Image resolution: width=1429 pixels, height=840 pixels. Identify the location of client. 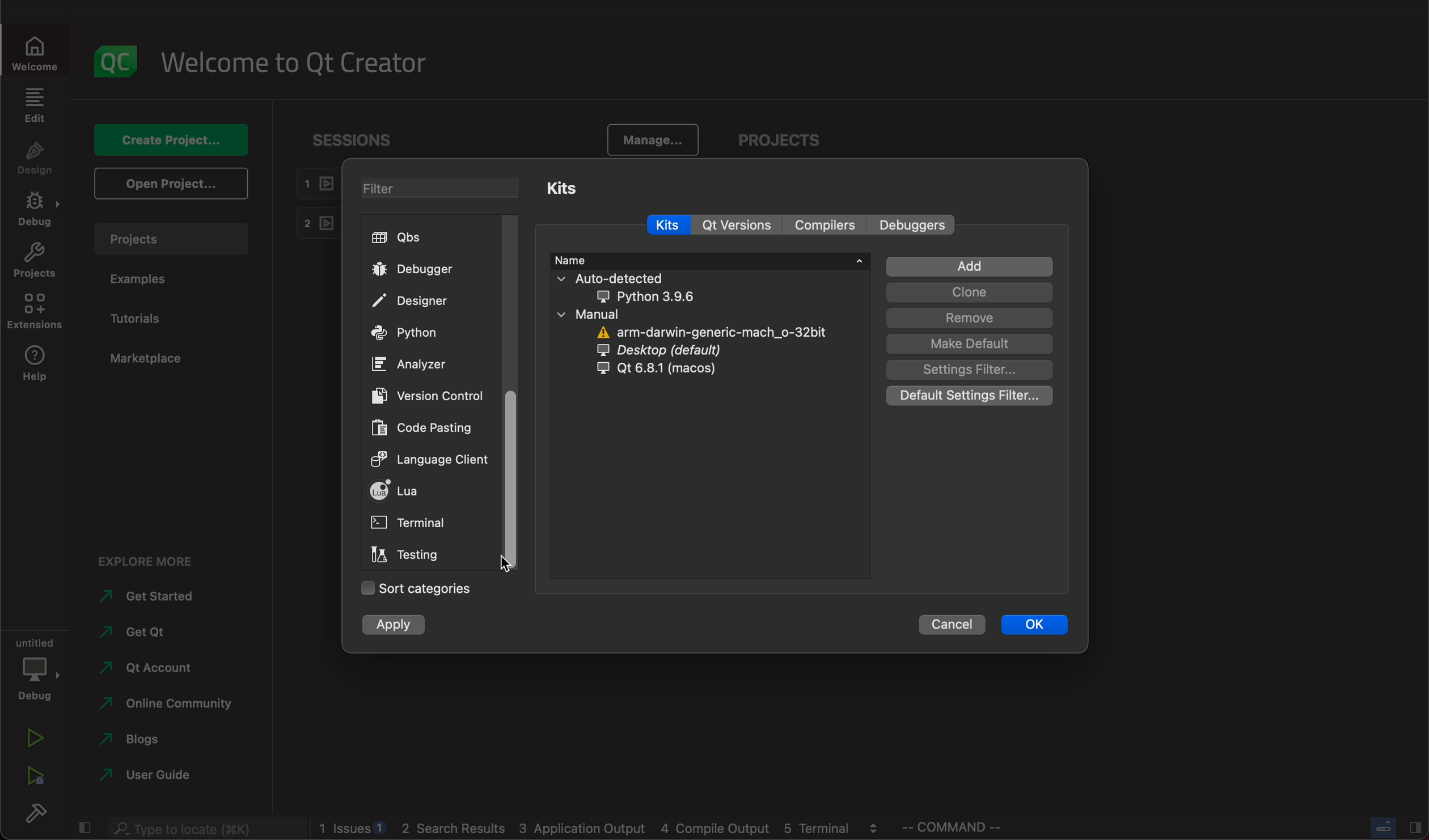
(429, 461).